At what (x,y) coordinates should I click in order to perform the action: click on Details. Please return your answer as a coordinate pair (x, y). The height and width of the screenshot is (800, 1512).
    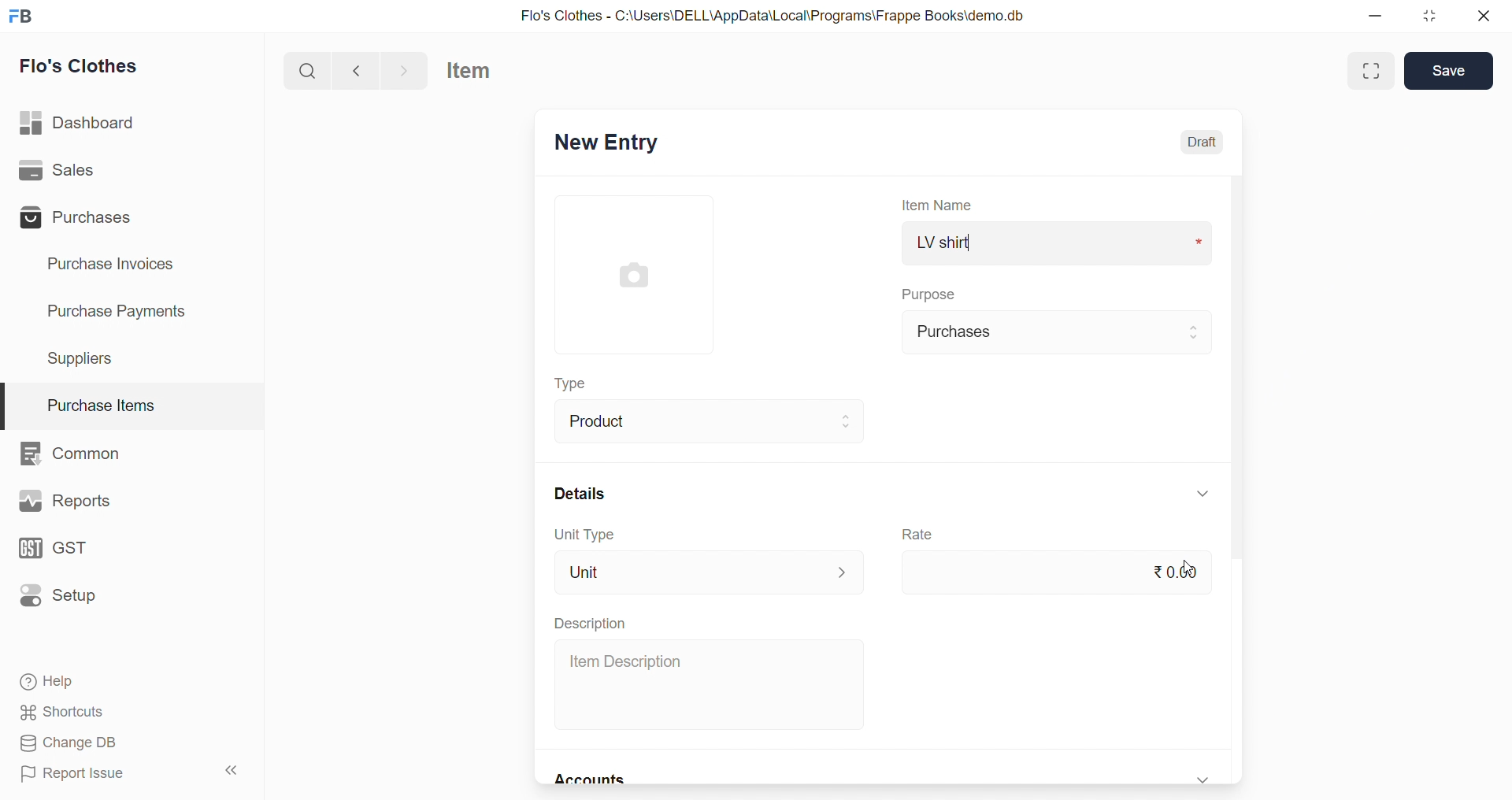
    Looking at the image, I should click on (576, 493).